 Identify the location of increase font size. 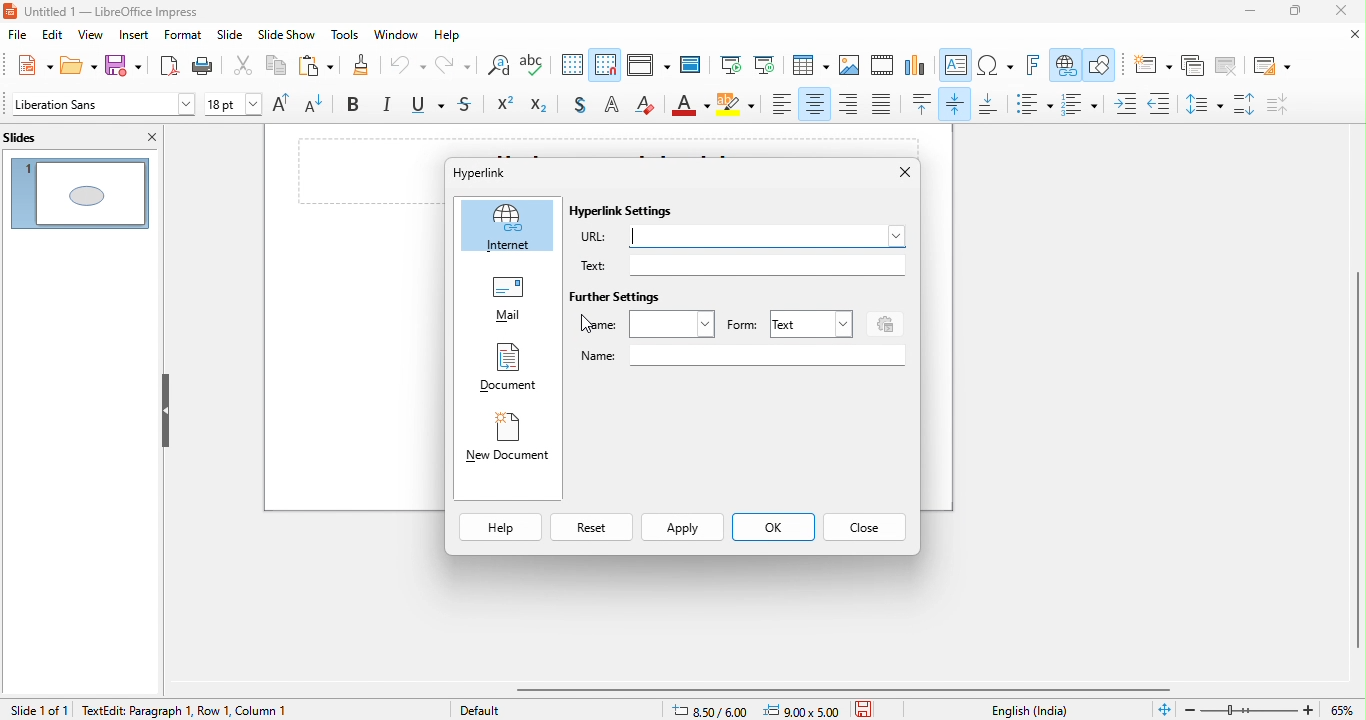
(285, 105).